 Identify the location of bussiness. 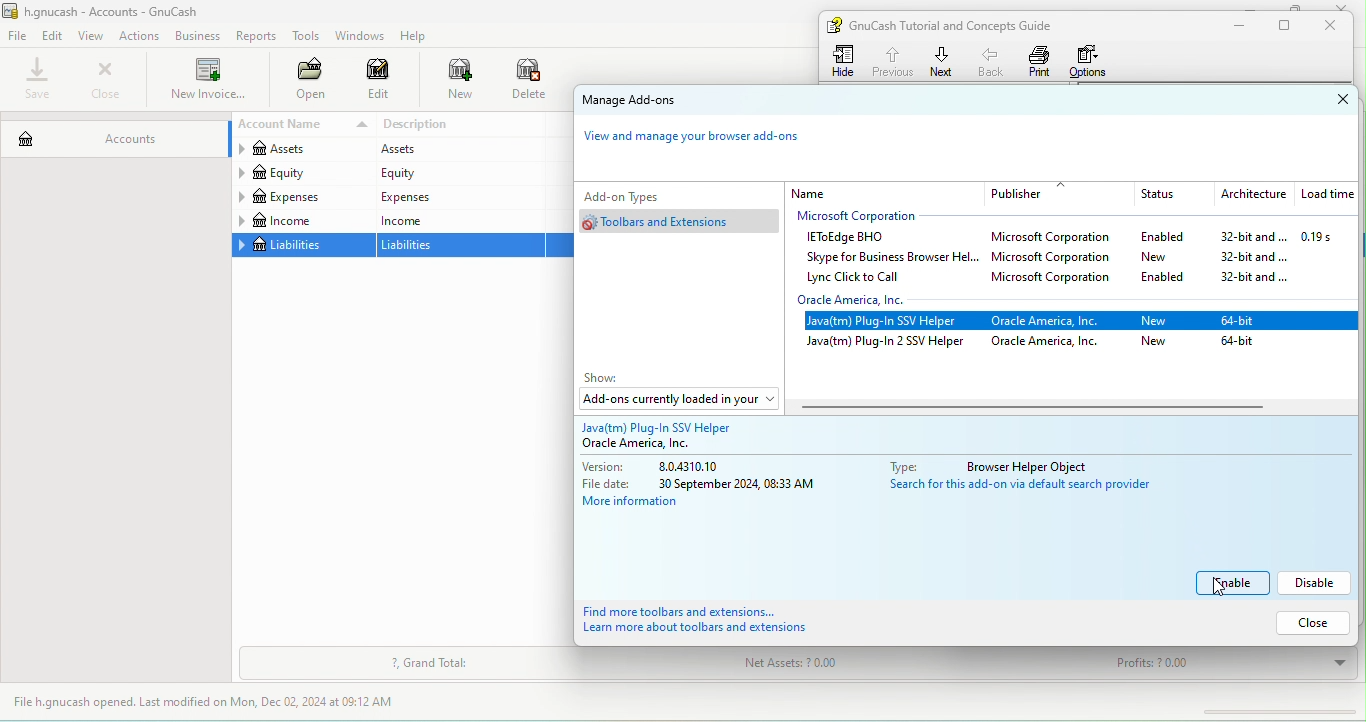
(198, 36).